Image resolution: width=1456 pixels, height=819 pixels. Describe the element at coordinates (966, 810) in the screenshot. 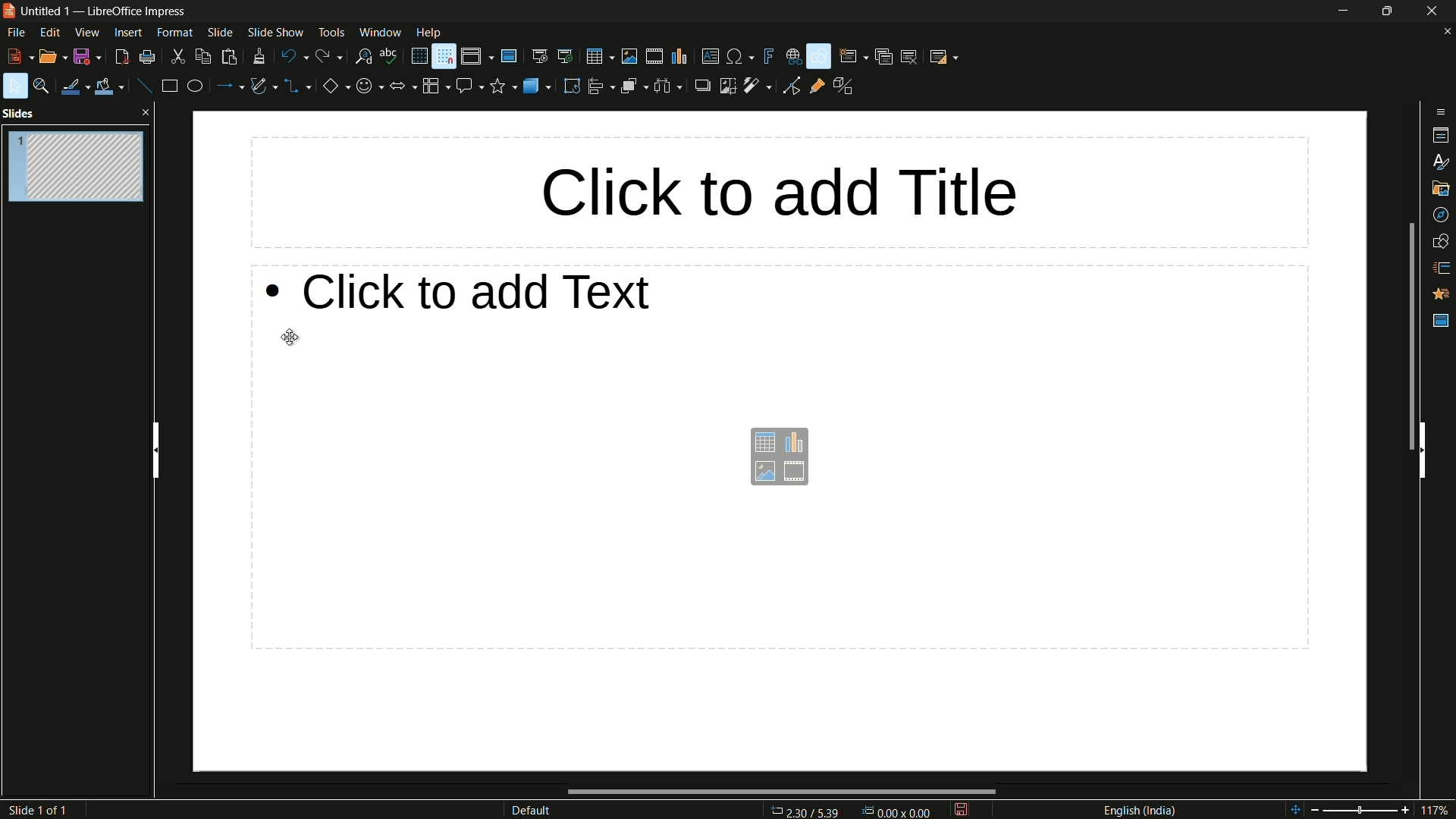

I see `modify document` at that location.